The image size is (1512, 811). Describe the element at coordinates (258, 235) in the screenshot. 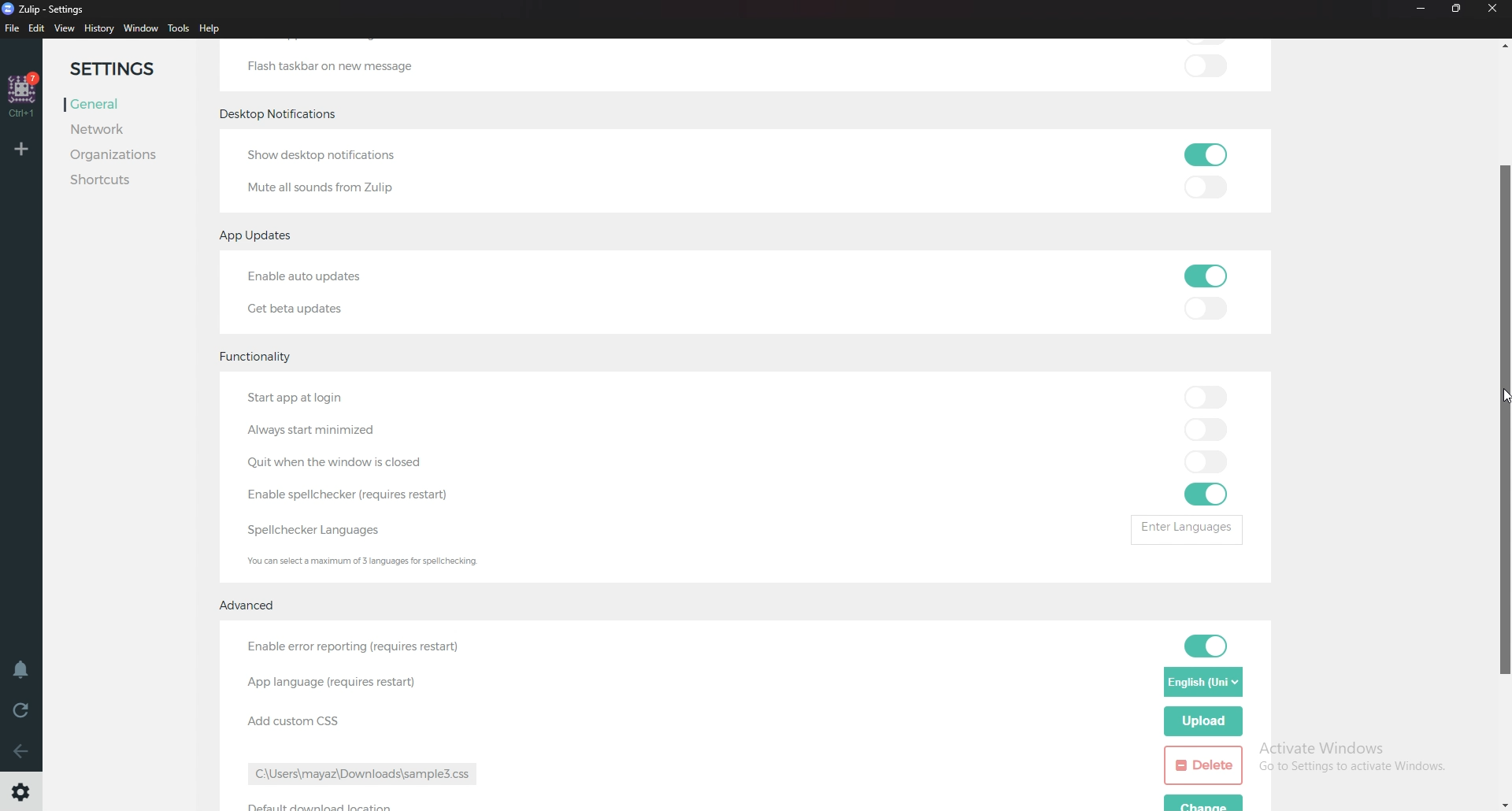

I see `app updates` at that location.